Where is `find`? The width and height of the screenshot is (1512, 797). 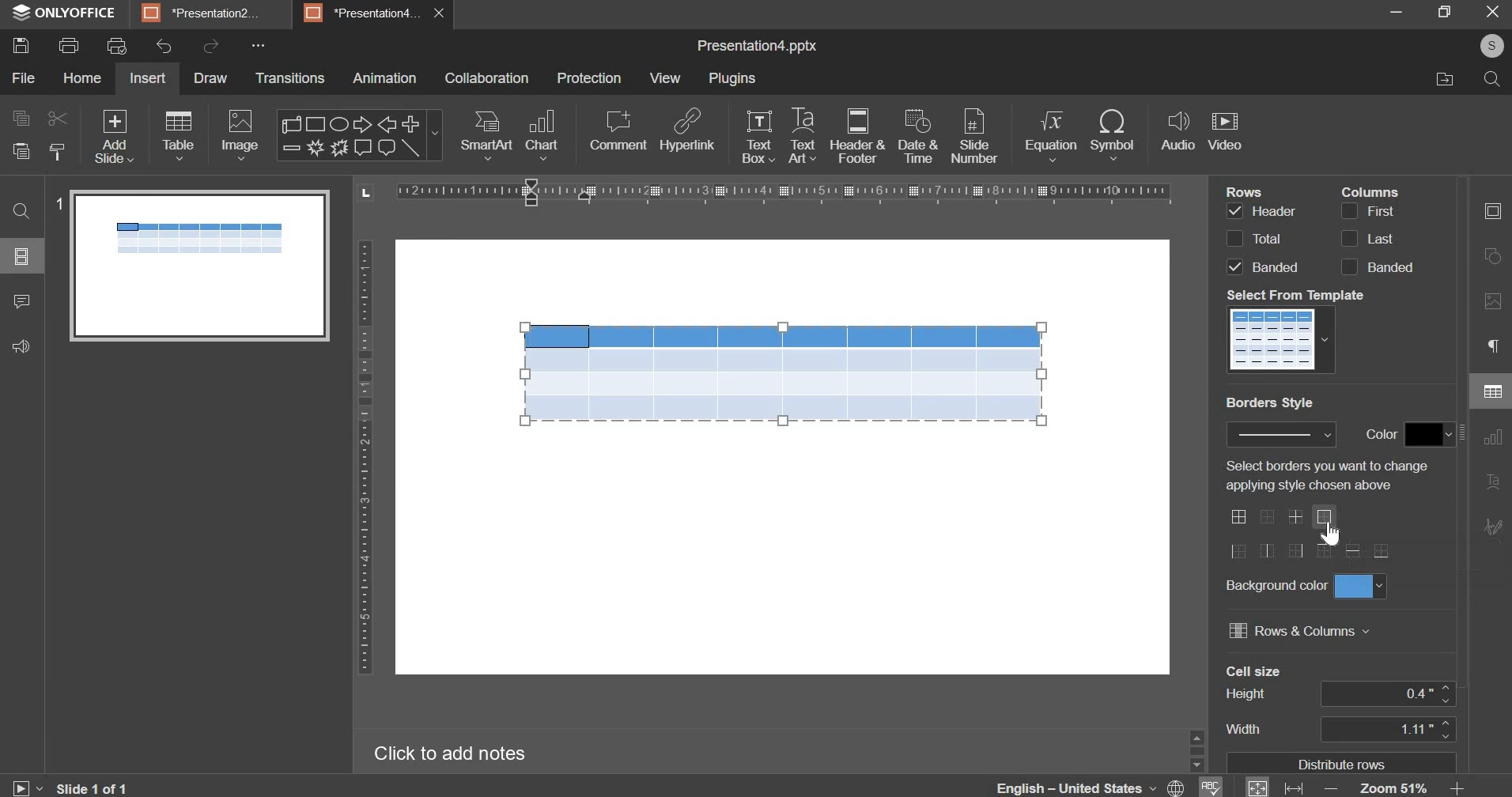
find is located at coordinates (23, 211).